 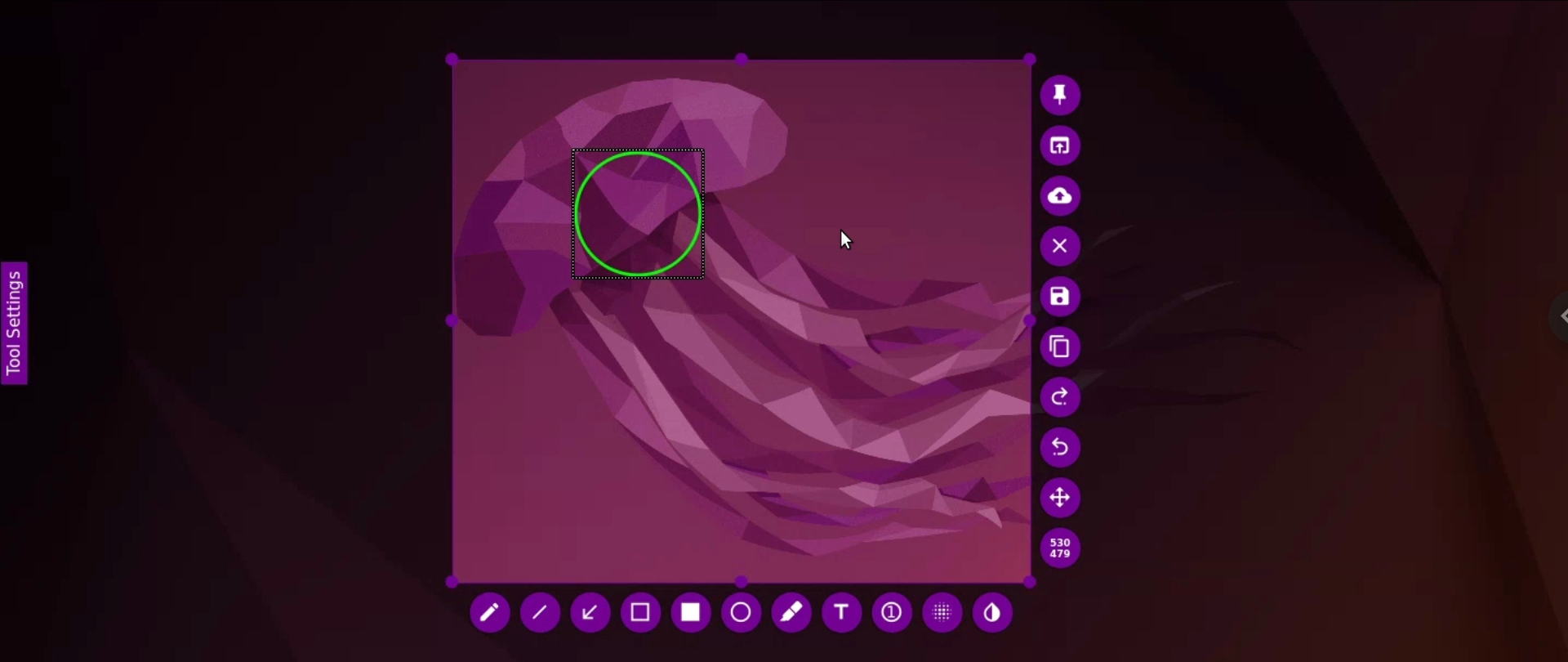 I want to click on cursor, so click(x=845, y=237).